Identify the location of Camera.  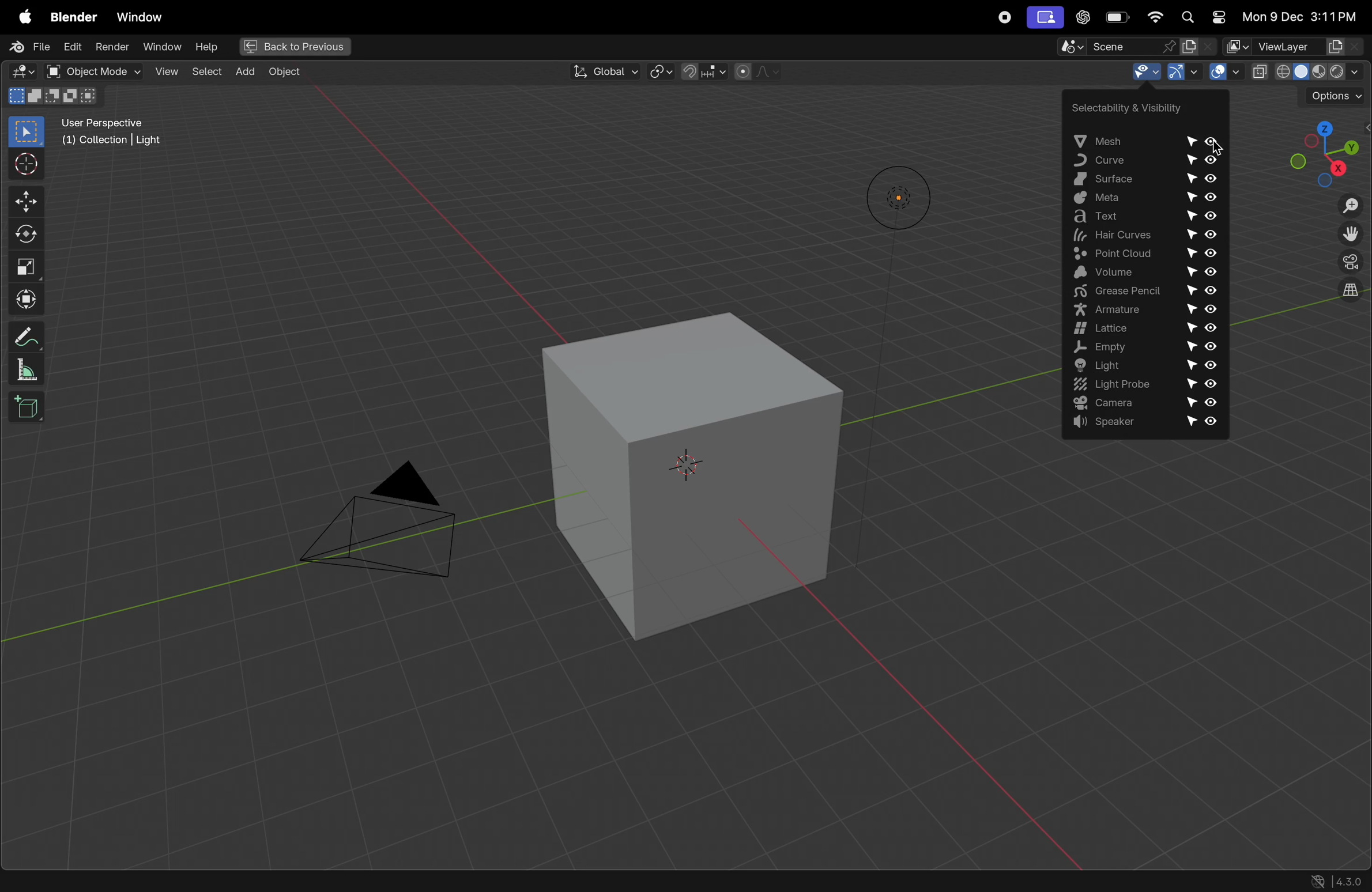
(1148, 404).